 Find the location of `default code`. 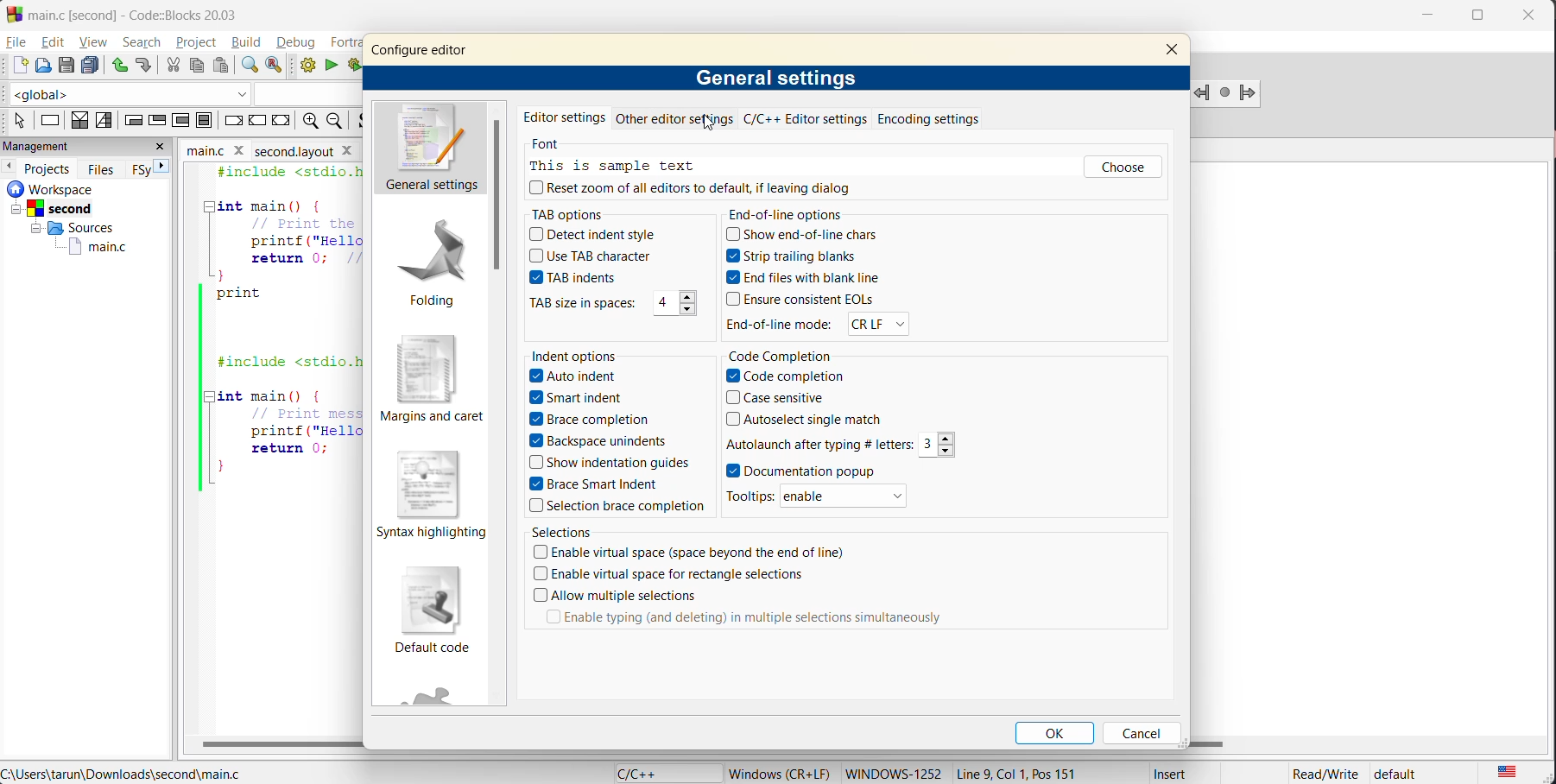

default code is located at coordinates (436, 612).